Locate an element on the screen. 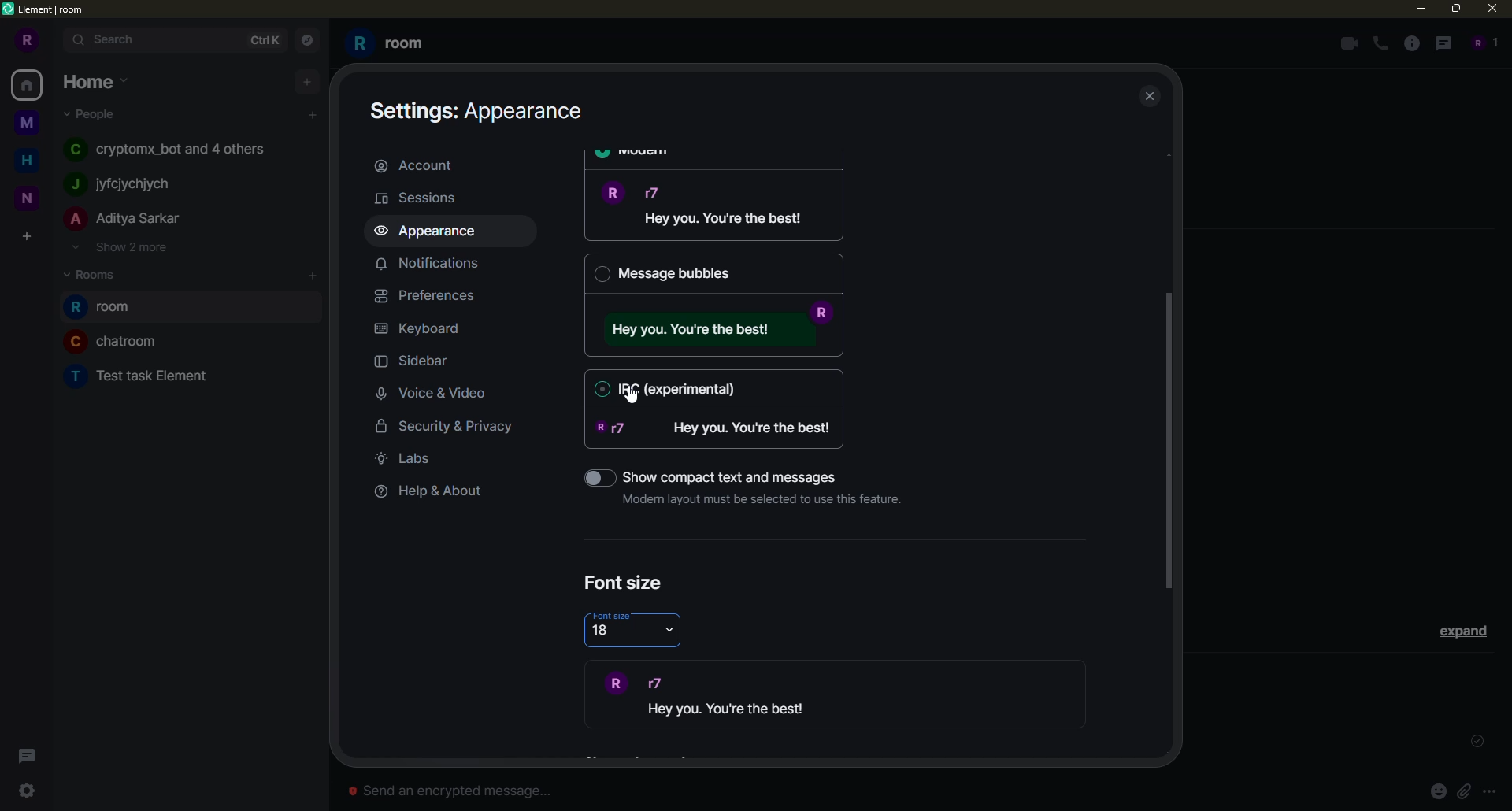 This screenshot has width=1512, height=811. ctrlK is located at coordinates (263, 39).